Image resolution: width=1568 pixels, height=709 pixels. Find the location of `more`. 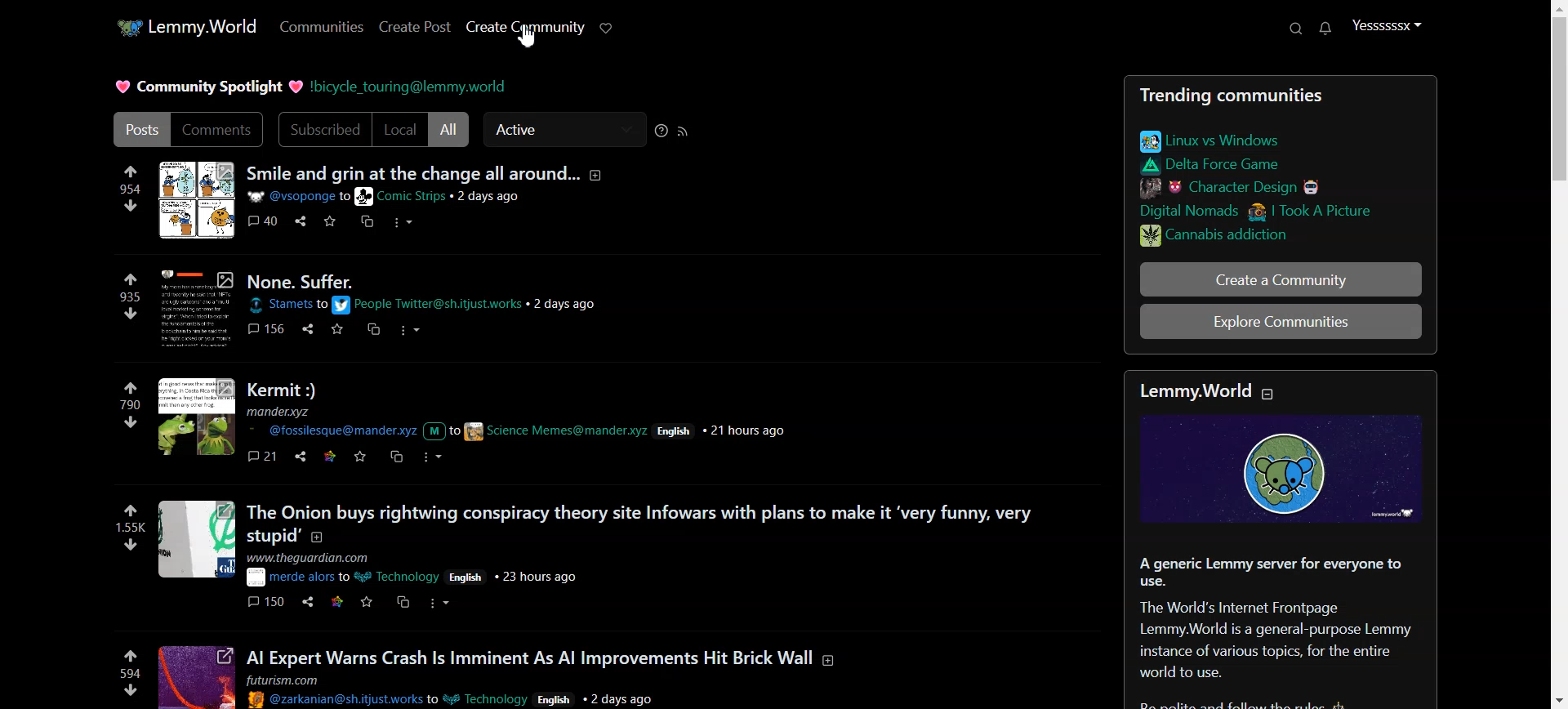

more is located at coordinates (406, 223).